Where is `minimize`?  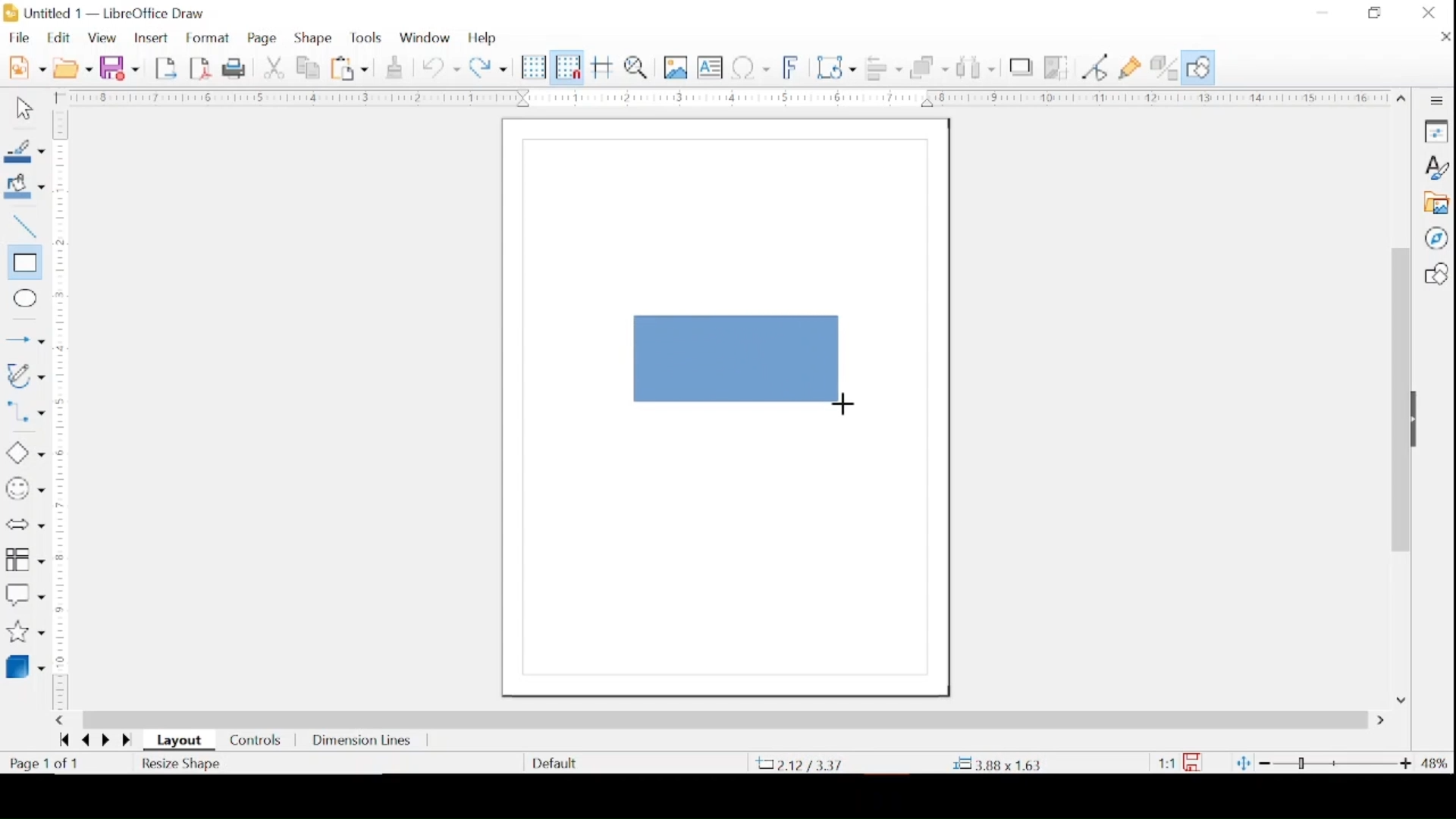 minimize is located at coordinates (1323, 12).